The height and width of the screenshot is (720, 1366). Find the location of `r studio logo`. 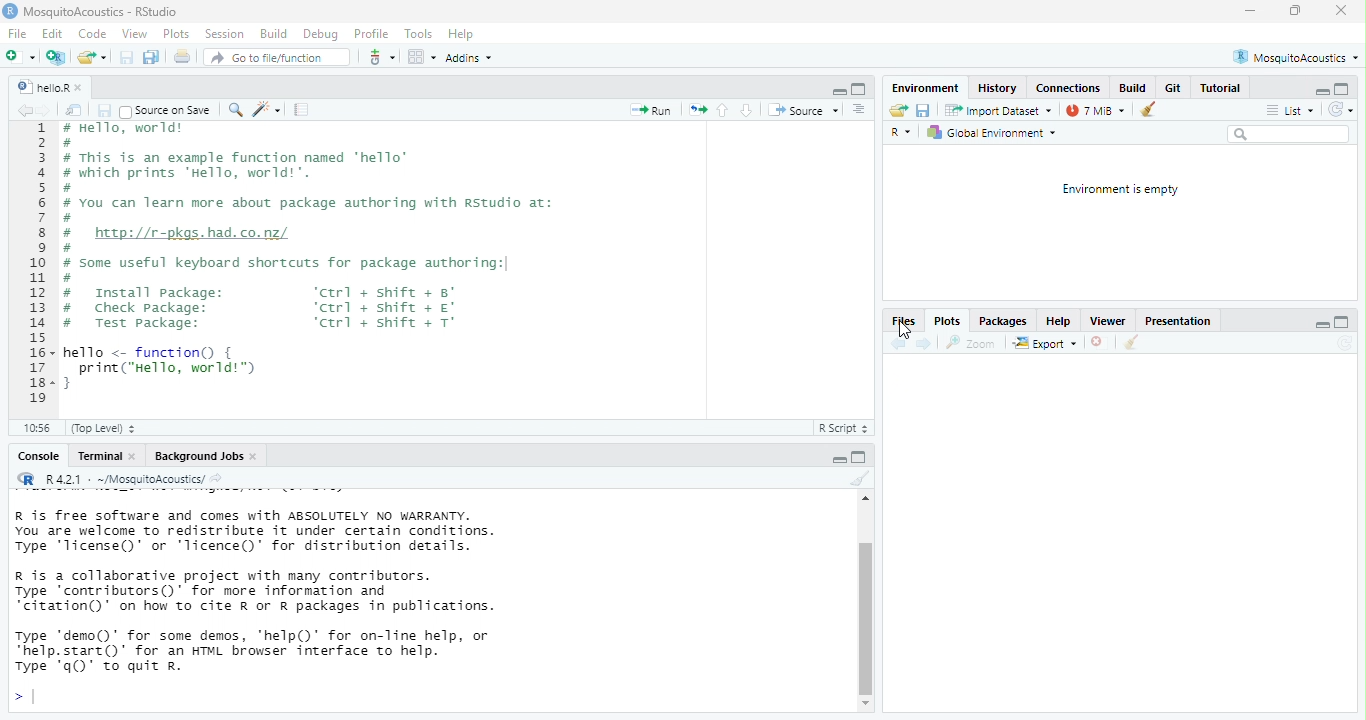

r studio logo is located at coordinates (25, 479).